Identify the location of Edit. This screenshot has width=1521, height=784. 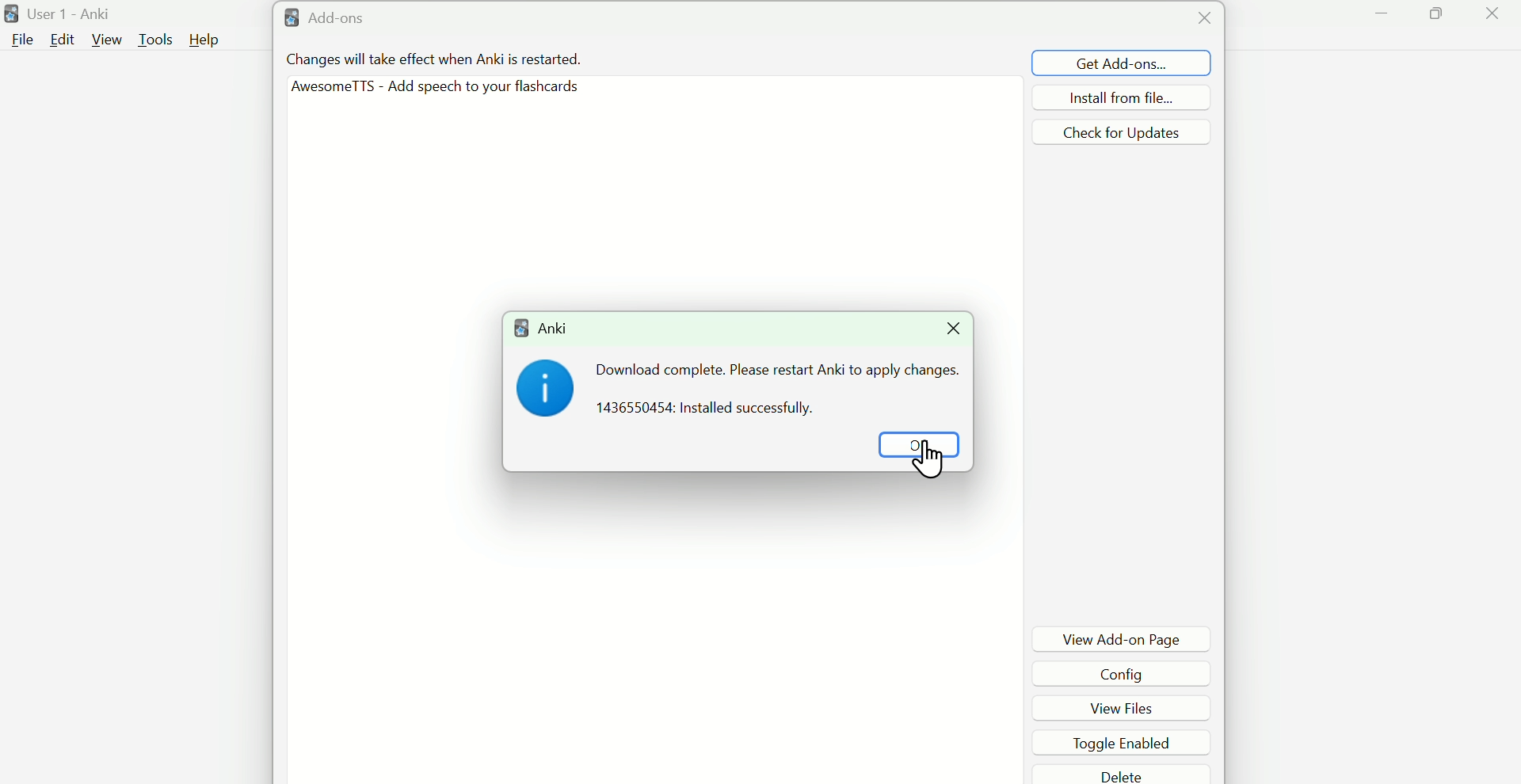
(61, 40).